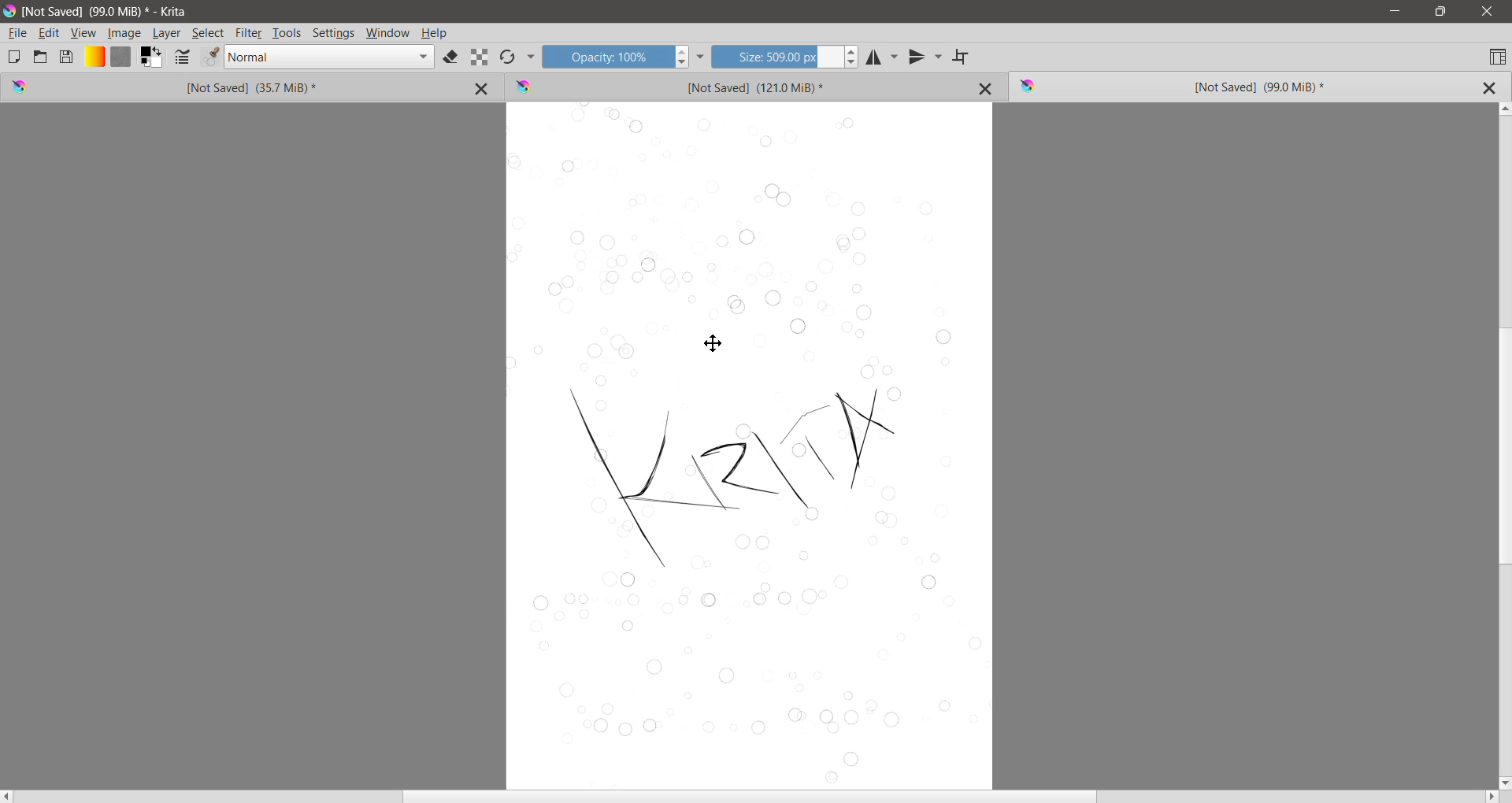 This screenshot has height=803, width=1512. What do you see at coordinates (1221, 87) in the screenshot?
I see `Unsaved Image (Current) Tab 3` at bounding box center [1221, 87].